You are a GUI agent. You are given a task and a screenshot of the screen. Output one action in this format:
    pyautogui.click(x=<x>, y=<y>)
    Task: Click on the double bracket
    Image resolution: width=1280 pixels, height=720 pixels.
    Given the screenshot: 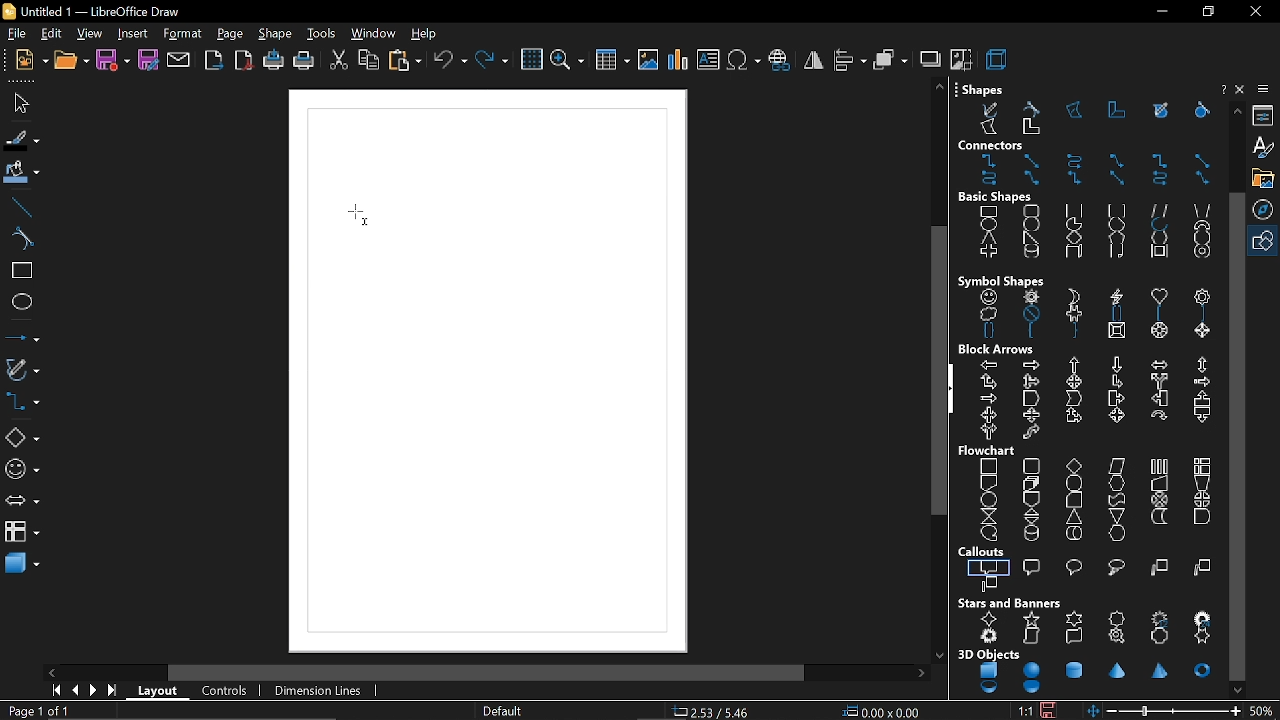 What is the action you would take?
    pyautogui.click(x=1116, y=316)
    